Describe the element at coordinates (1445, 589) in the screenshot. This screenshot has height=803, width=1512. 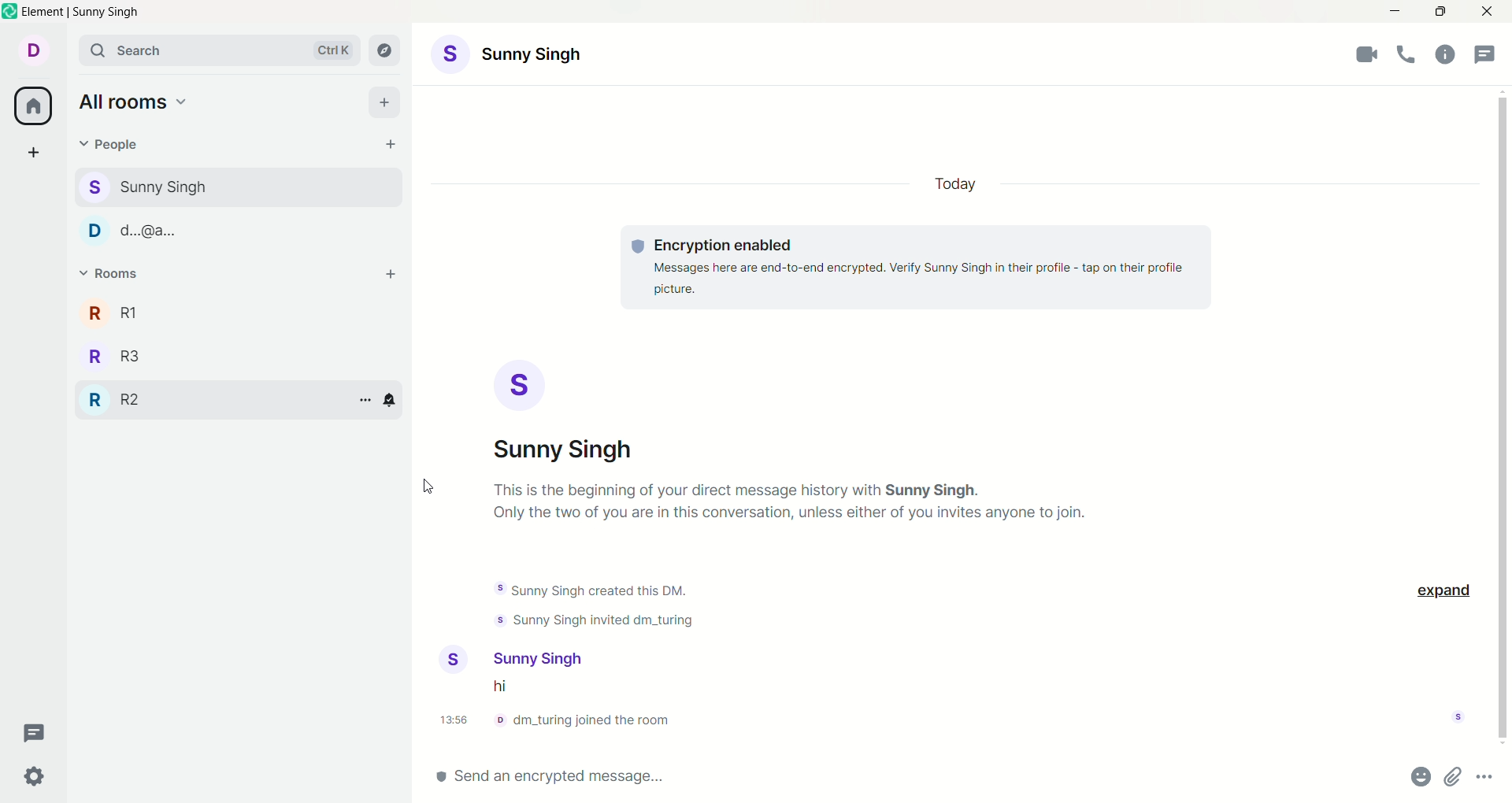
I see `exxpand` at that location.